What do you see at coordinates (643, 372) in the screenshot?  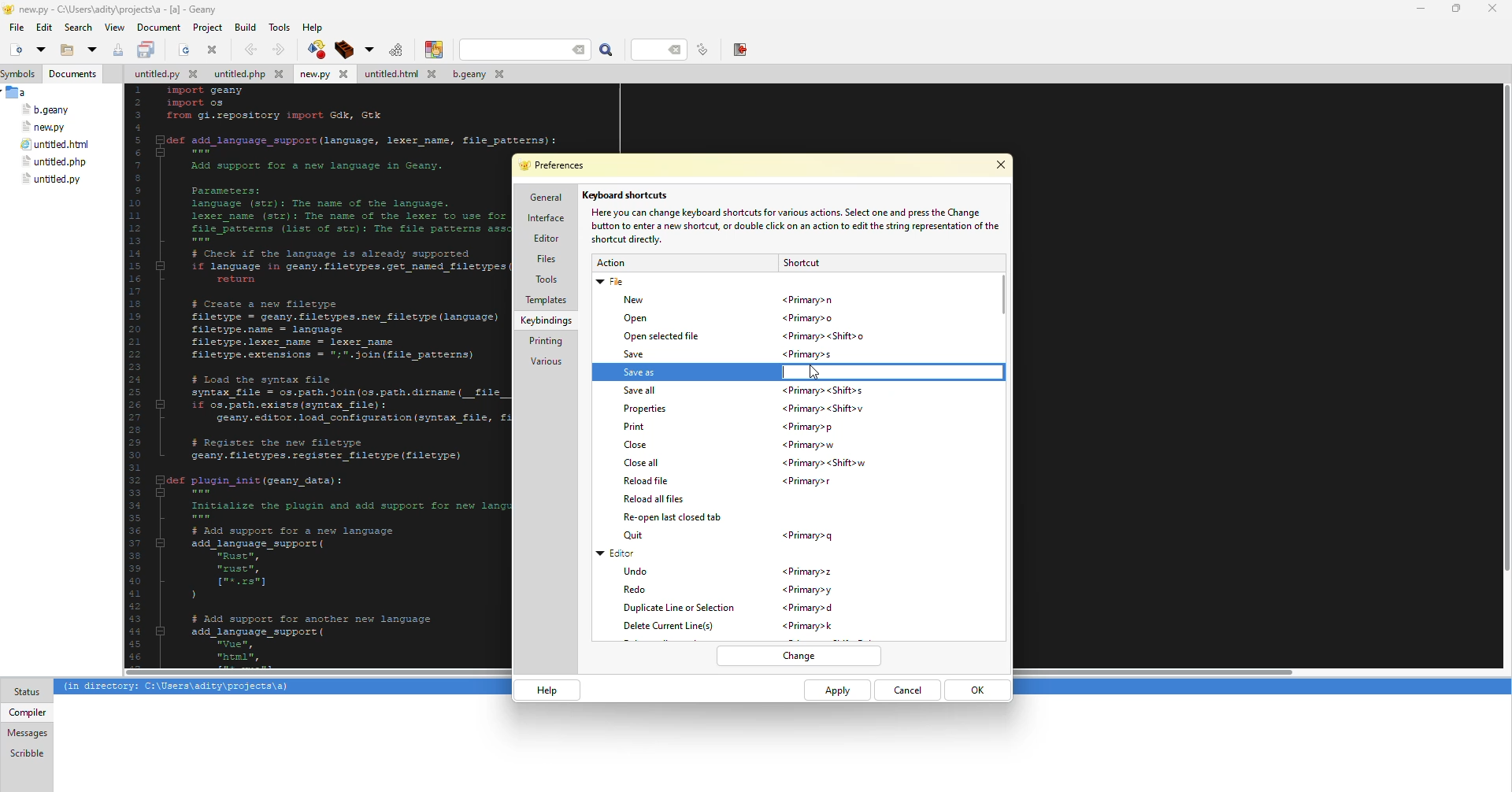 I see `save as` at bounding box center [643, 372].